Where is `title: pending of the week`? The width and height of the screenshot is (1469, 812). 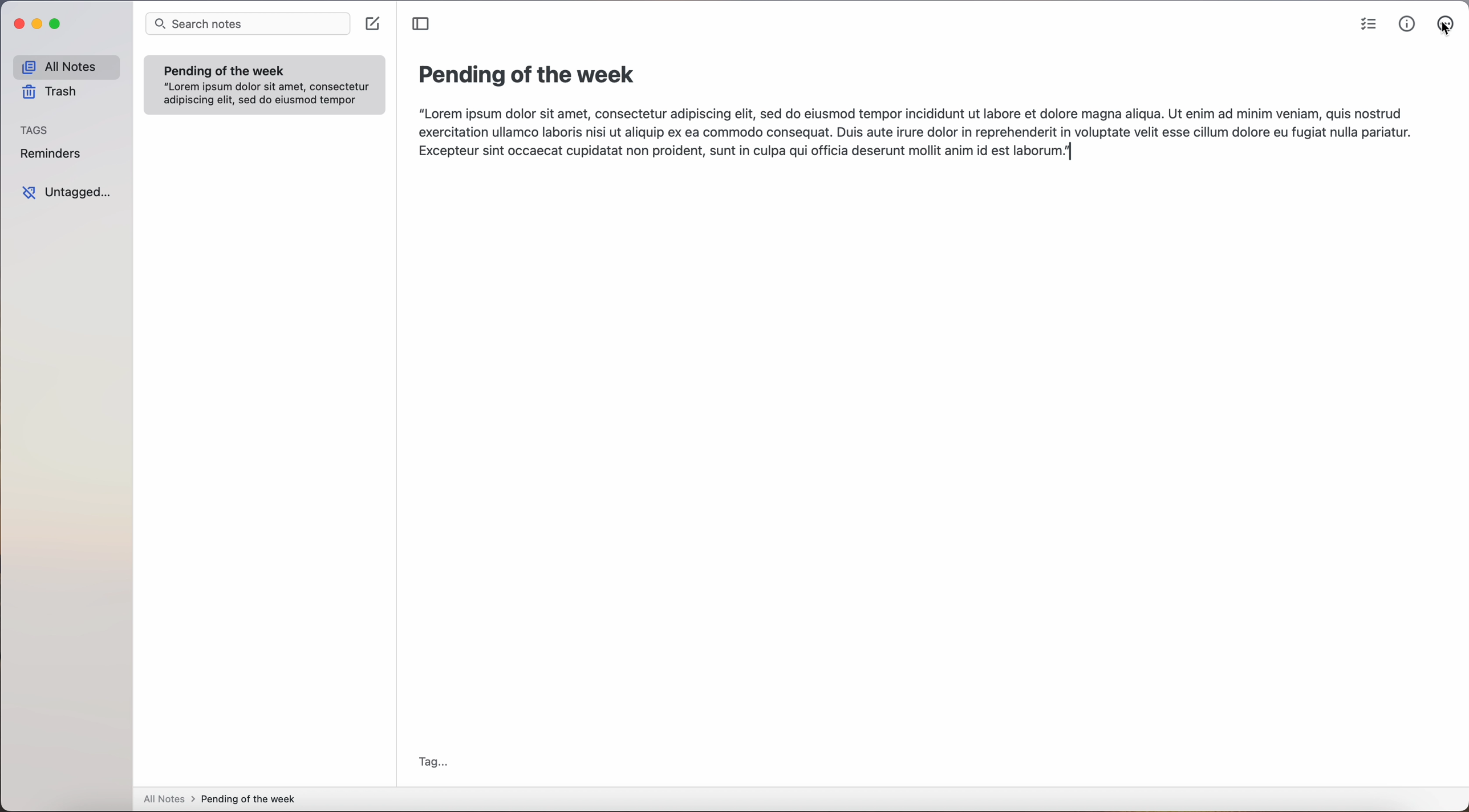
title: pending of the week is located at coordinates (530, 76).